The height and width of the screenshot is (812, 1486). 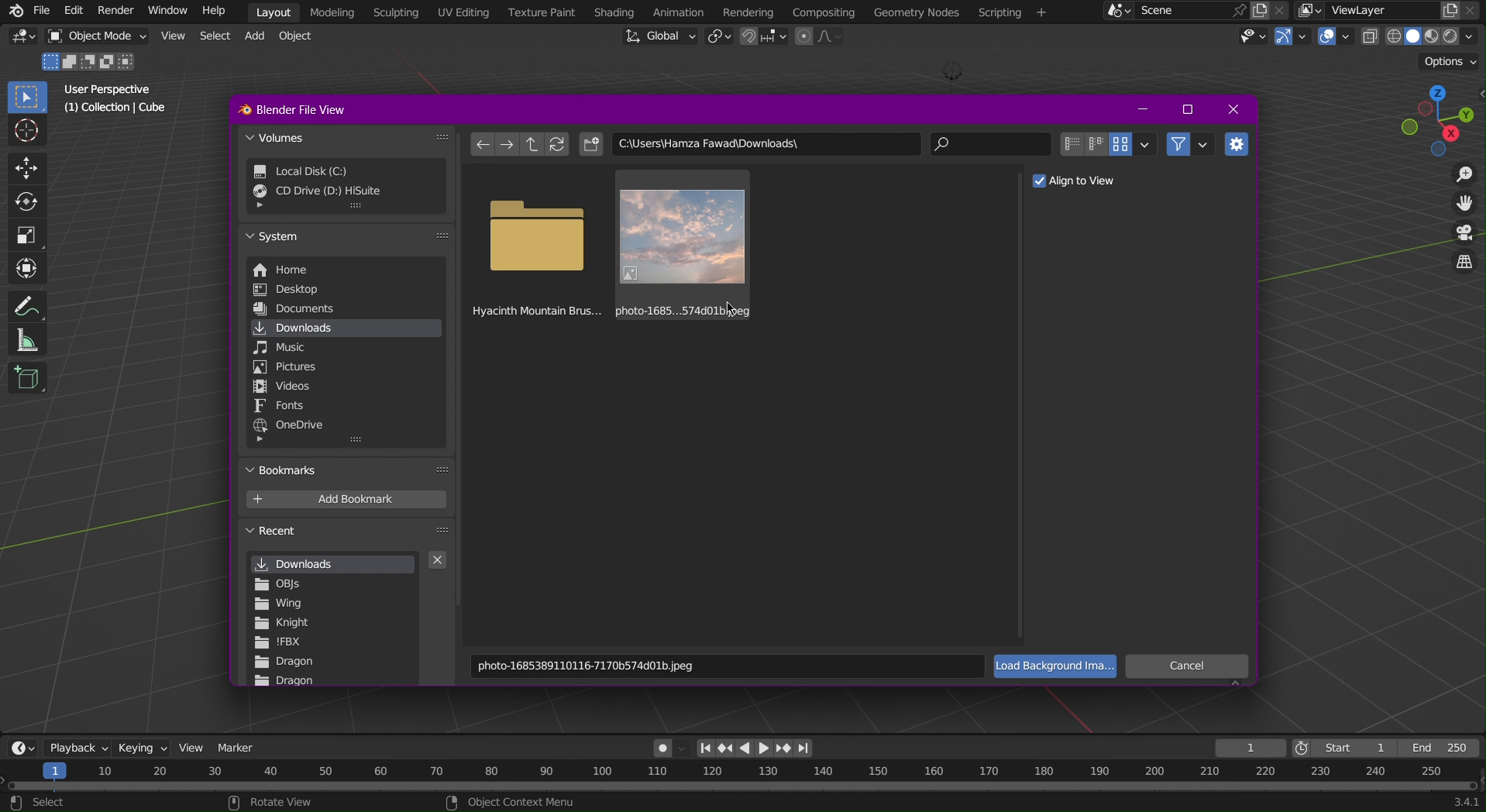 I want to click on End 250, so click(x=1443, y=745).